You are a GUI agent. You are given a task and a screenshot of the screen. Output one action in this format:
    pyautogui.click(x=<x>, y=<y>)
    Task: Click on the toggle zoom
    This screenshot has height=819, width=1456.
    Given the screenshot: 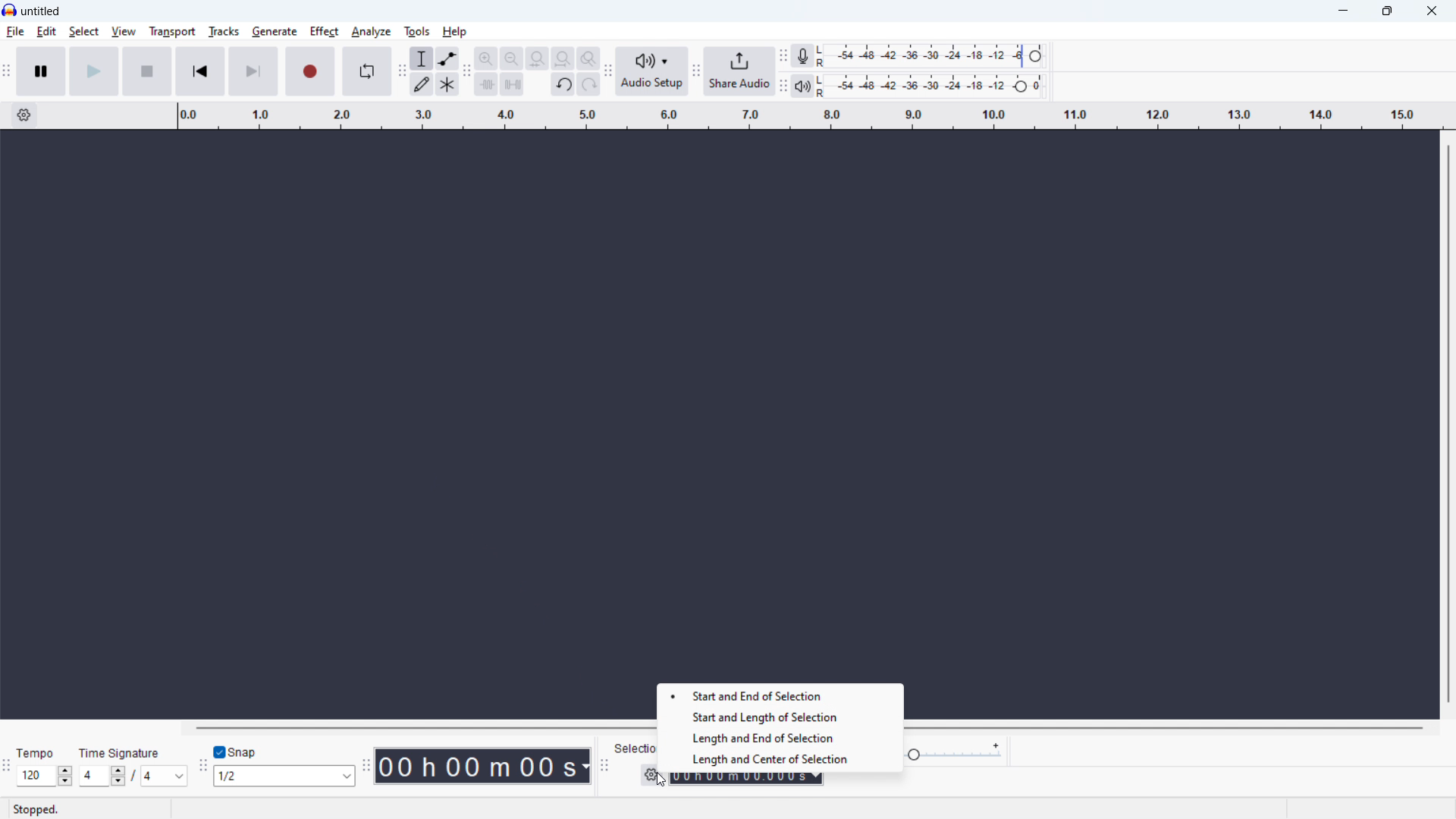 What is the action you would take?
    pyautogui.click(x=589, y=58)
    